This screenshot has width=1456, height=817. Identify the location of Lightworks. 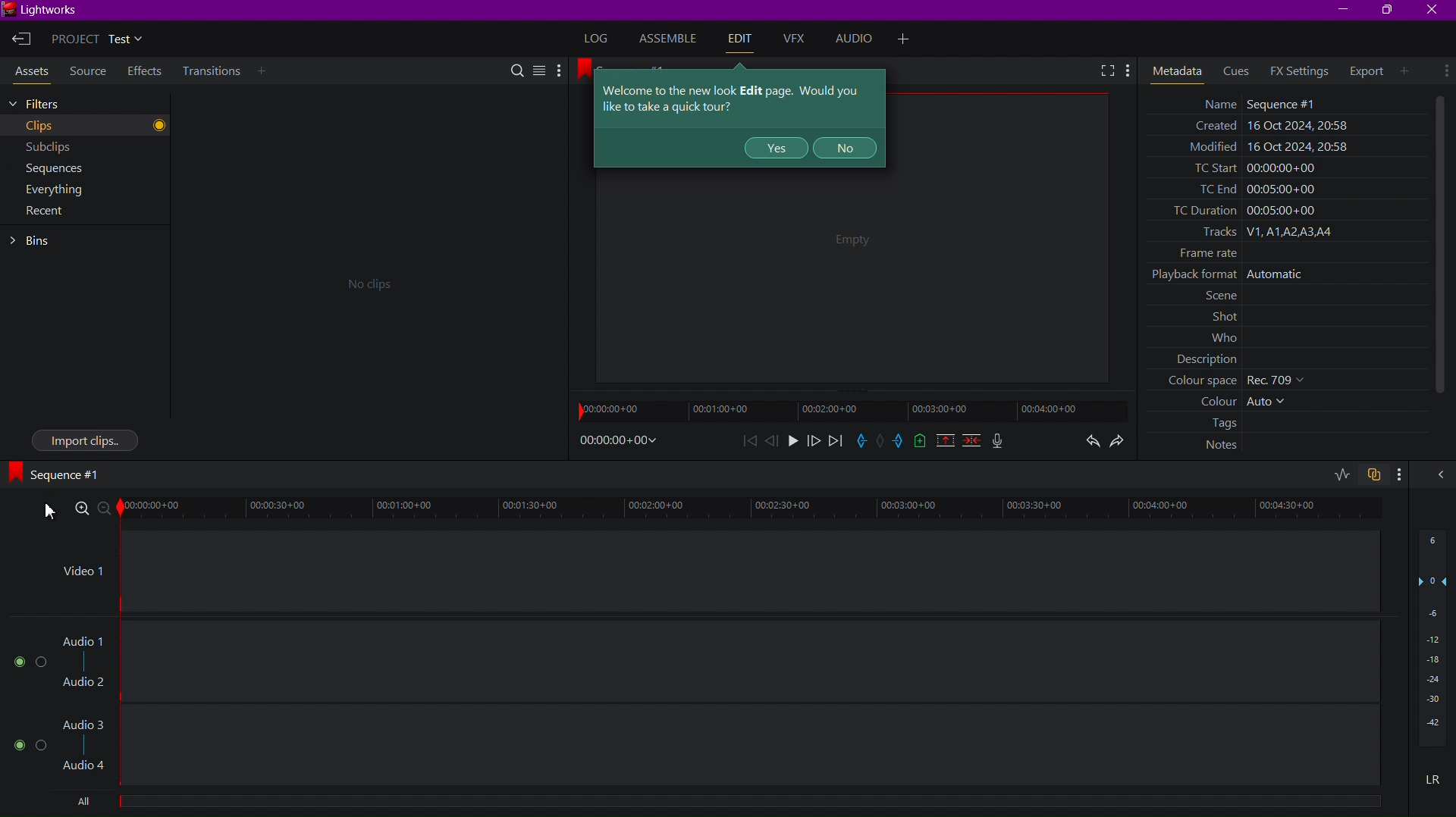
(42, 11).